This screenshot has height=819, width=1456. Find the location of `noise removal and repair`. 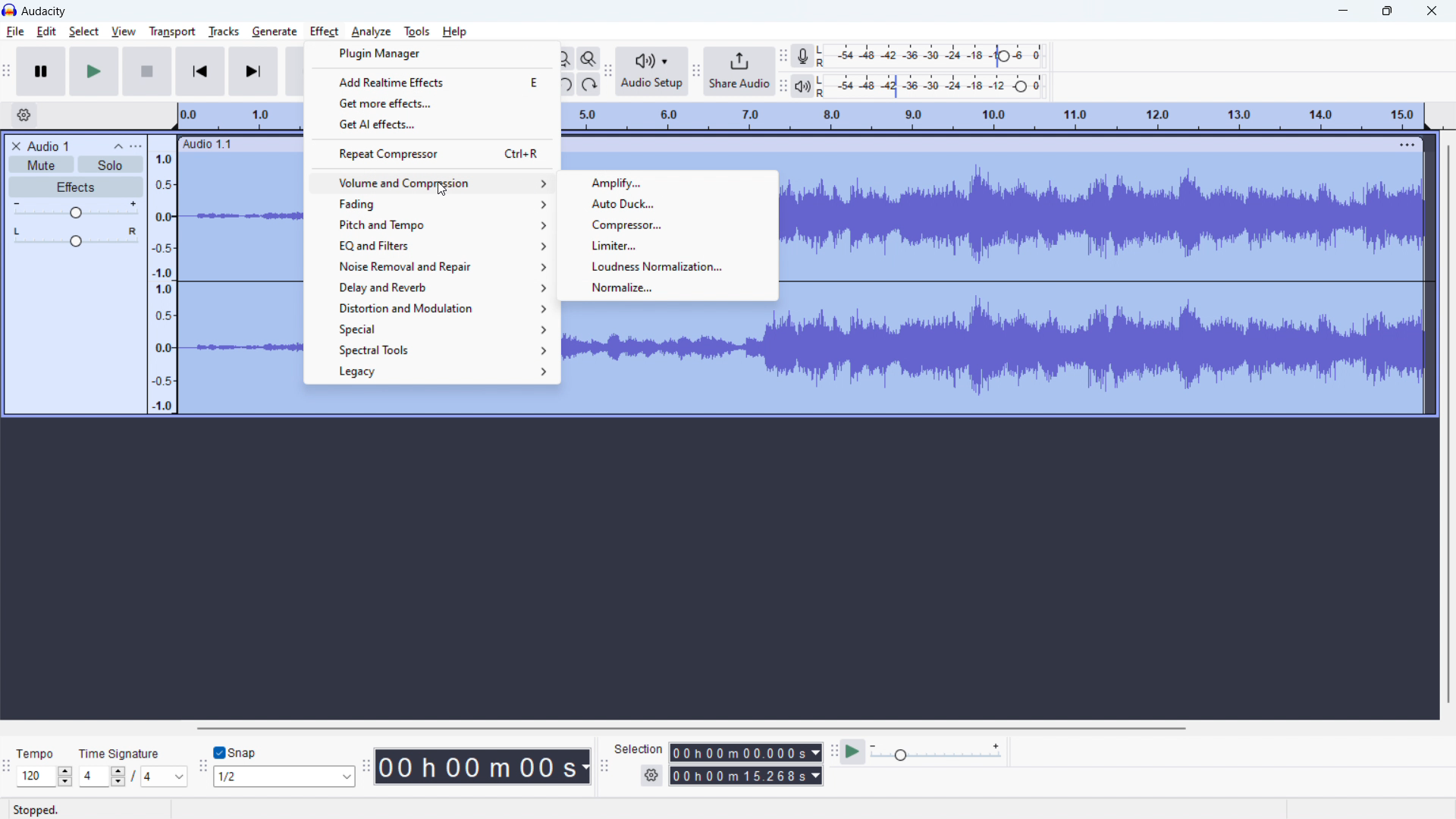

noise removal and repair is located at coordinates (428, 265).